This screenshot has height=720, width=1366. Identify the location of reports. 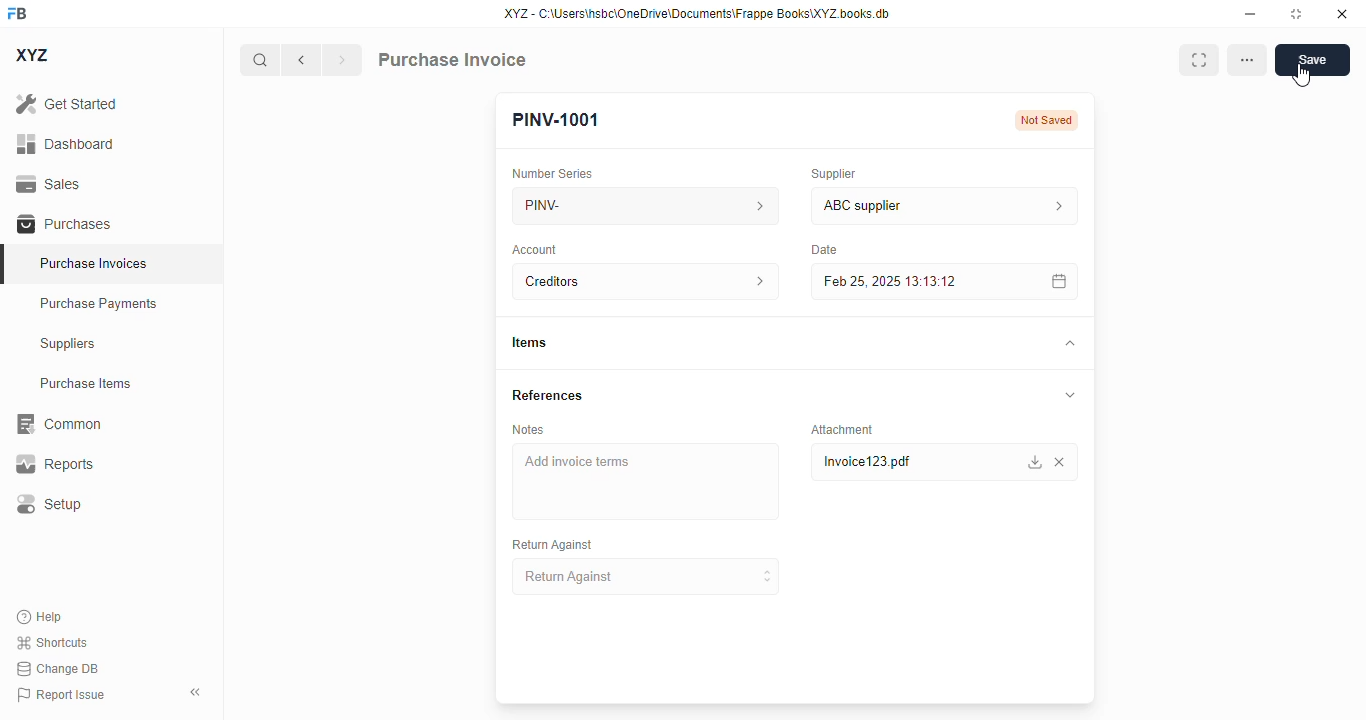
(55, 464).